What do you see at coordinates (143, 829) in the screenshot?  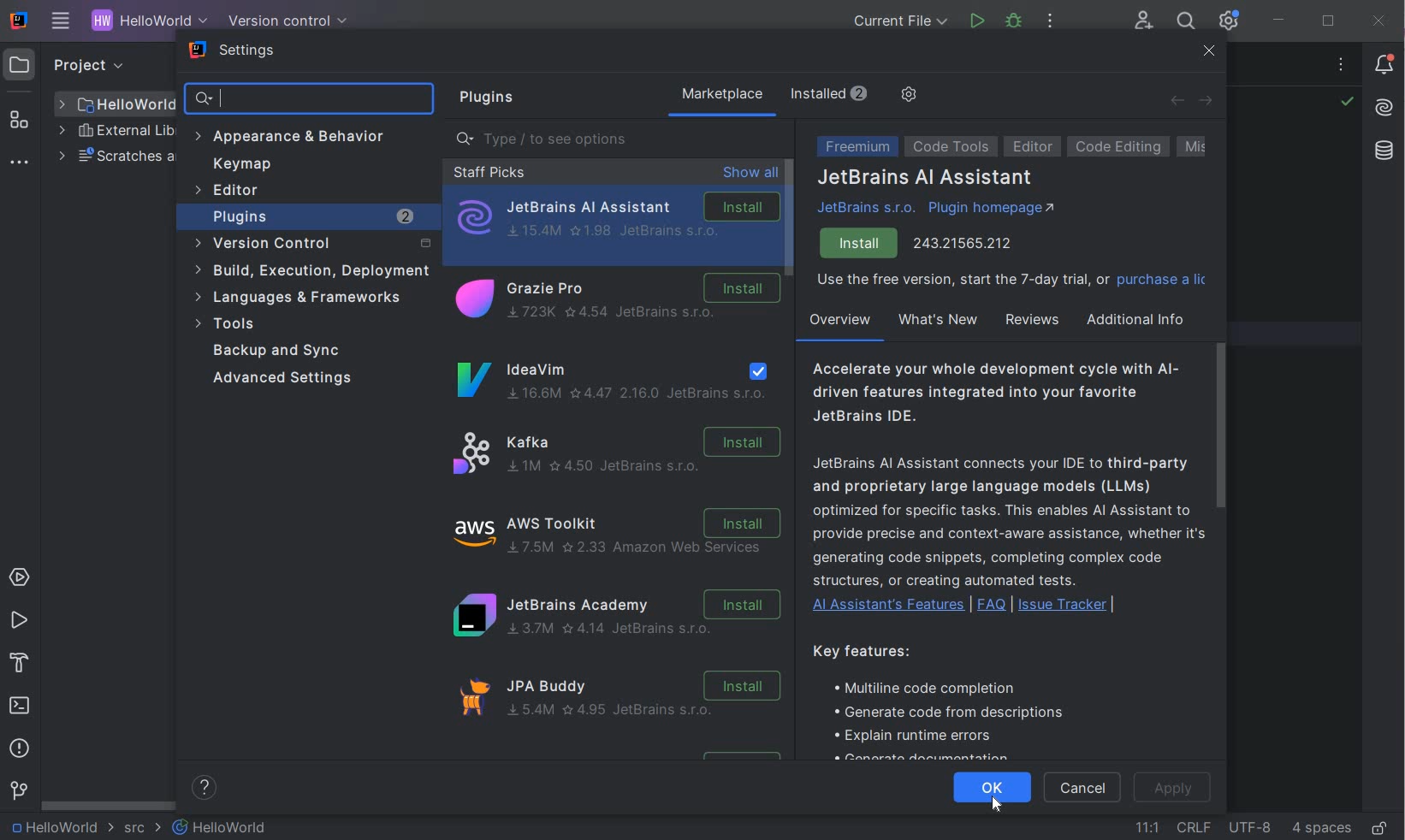 I see `SRC` at bounding box center [143, 829].